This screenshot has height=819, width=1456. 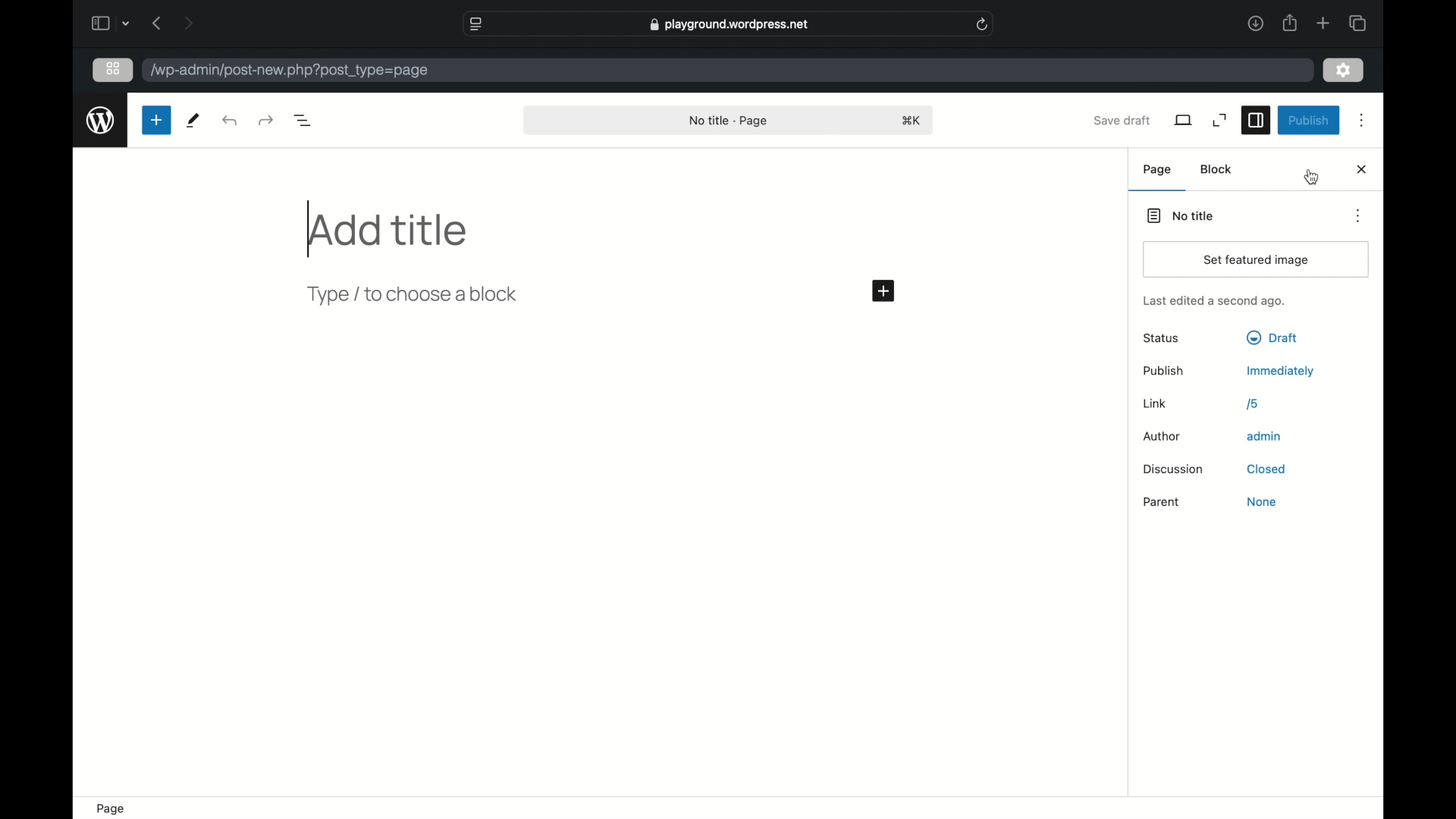 I want to click on admin, so click(x=1265, y=436).